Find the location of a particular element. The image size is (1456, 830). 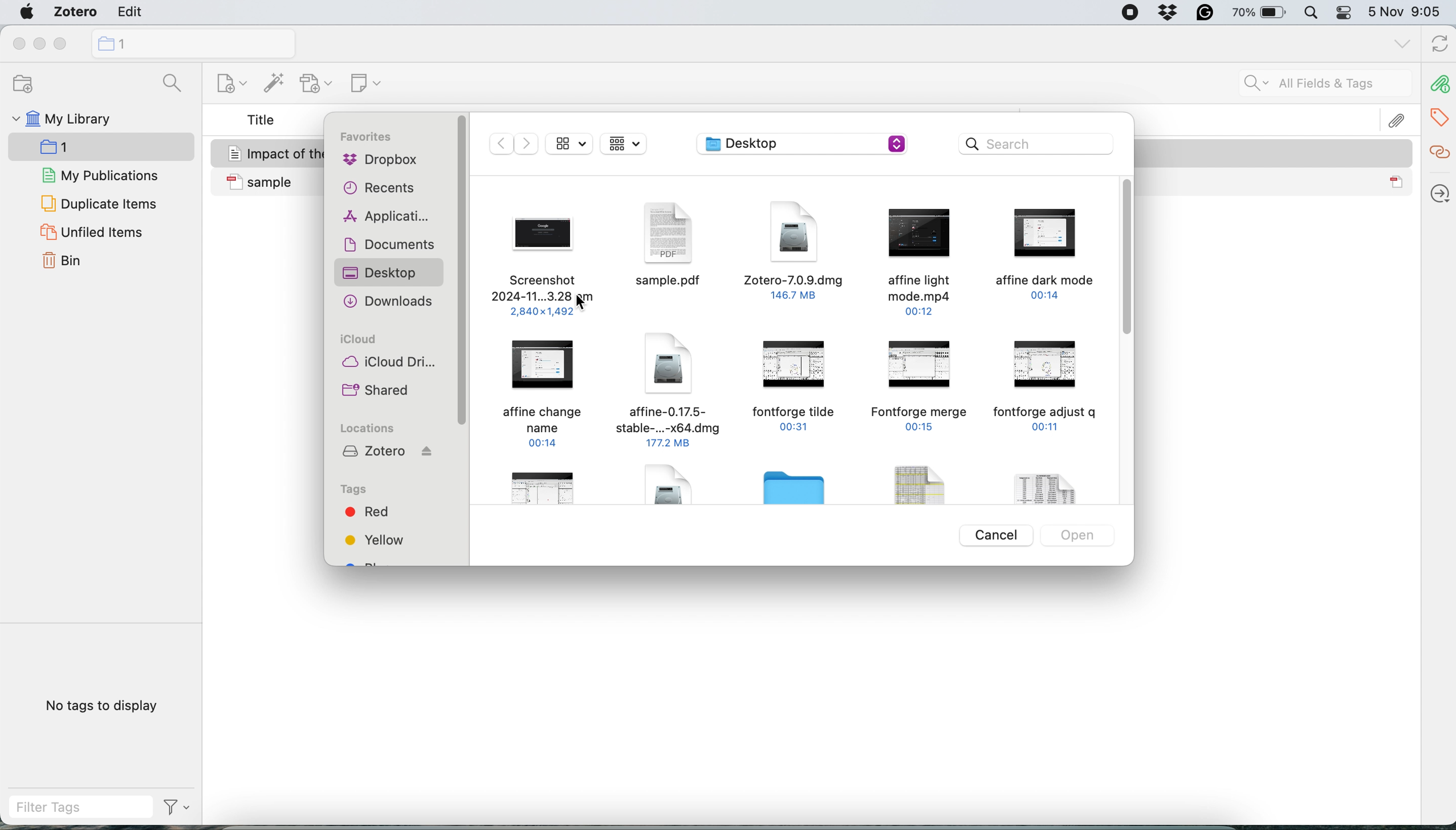

new collection is located at coordinates (18, 84).